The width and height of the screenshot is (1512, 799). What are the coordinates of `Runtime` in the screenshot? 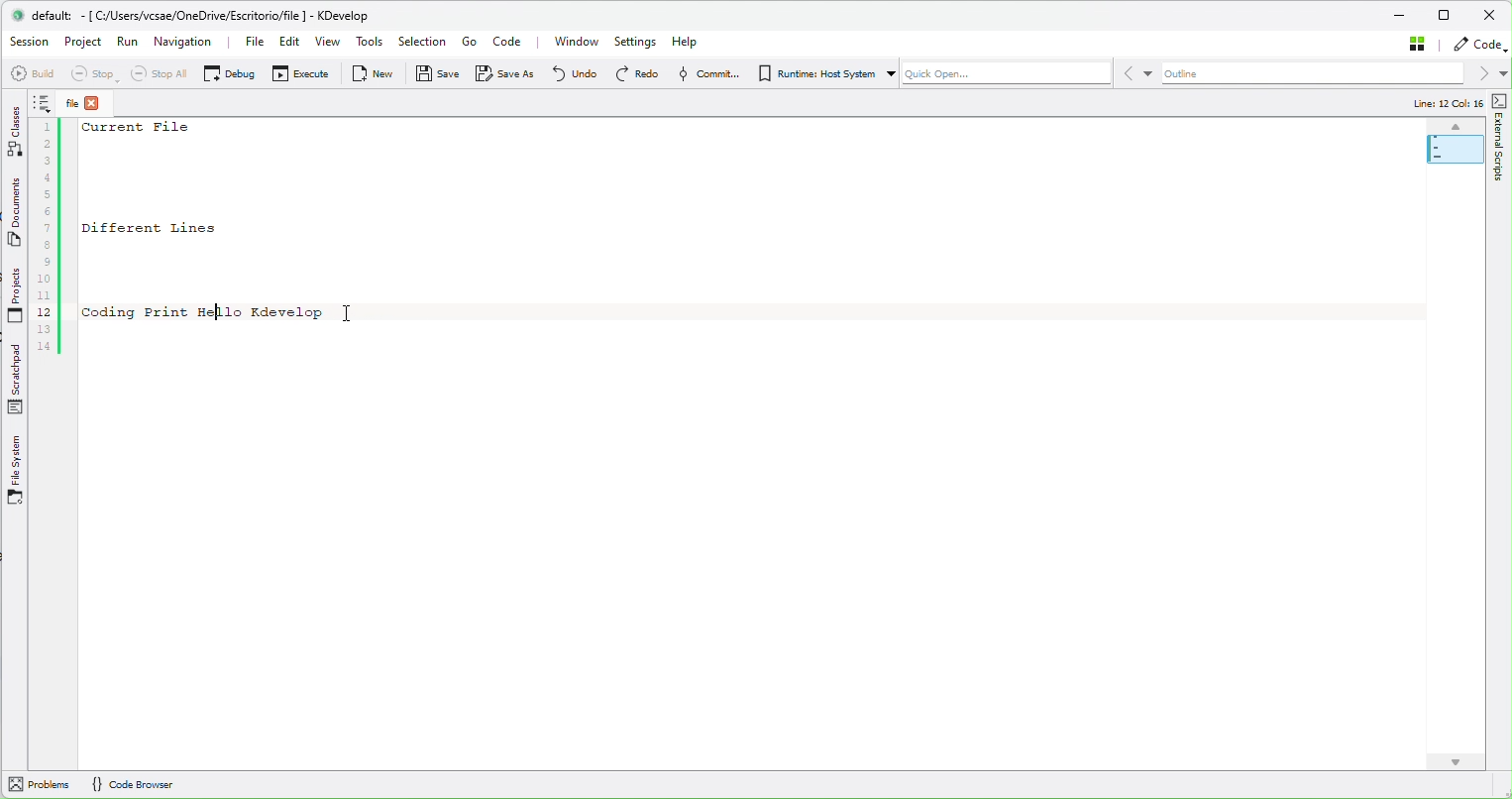 It's located at (821, 74).